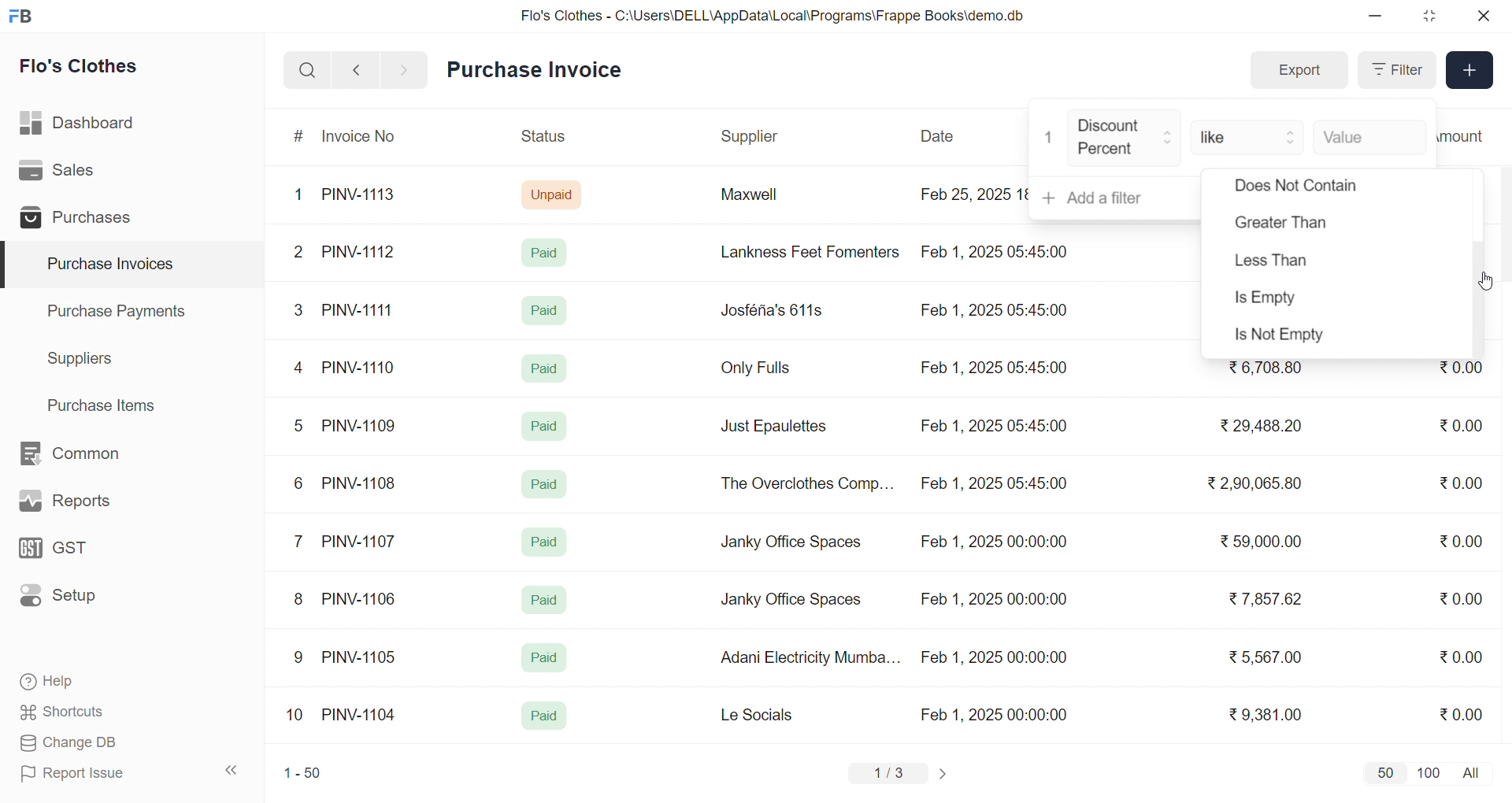  What do you see at coordinates (302, 775) in the screenshot?
I see `1-50` at bounding box center [302, 775].